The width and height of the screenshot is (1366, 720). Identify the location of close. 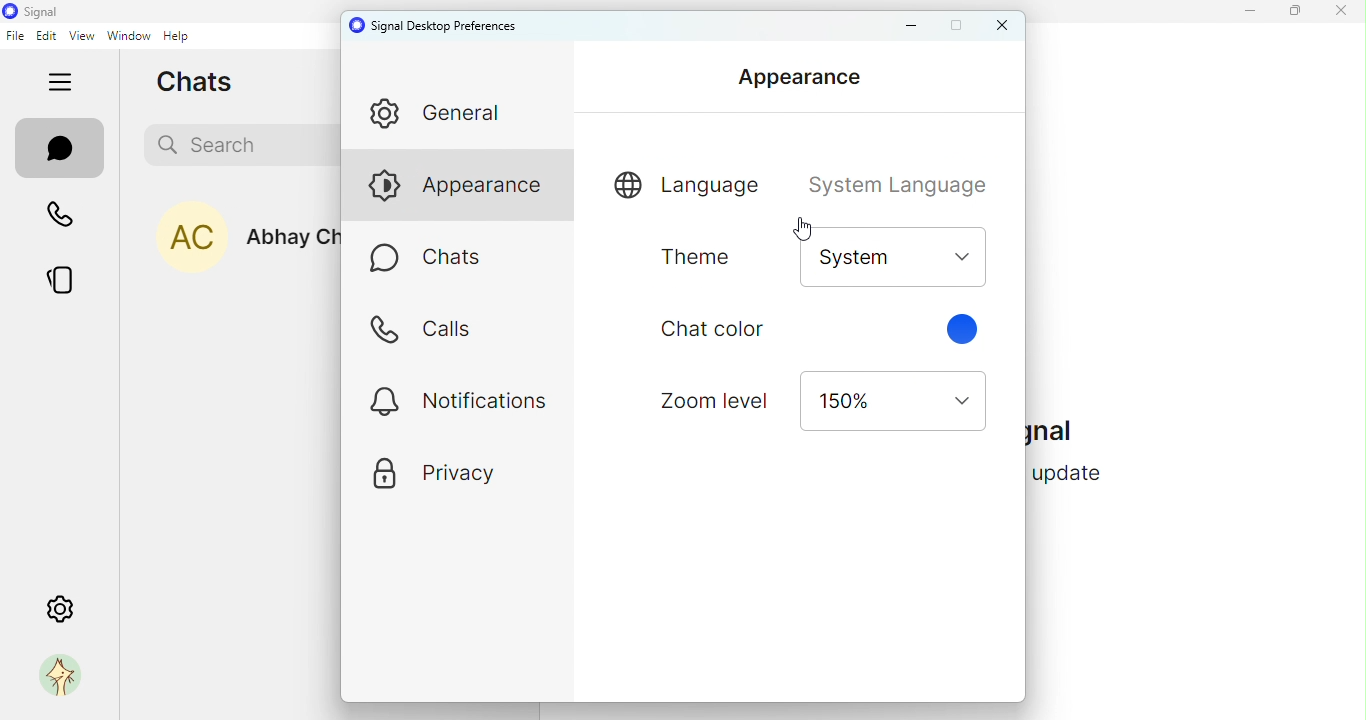
(1345, 14).